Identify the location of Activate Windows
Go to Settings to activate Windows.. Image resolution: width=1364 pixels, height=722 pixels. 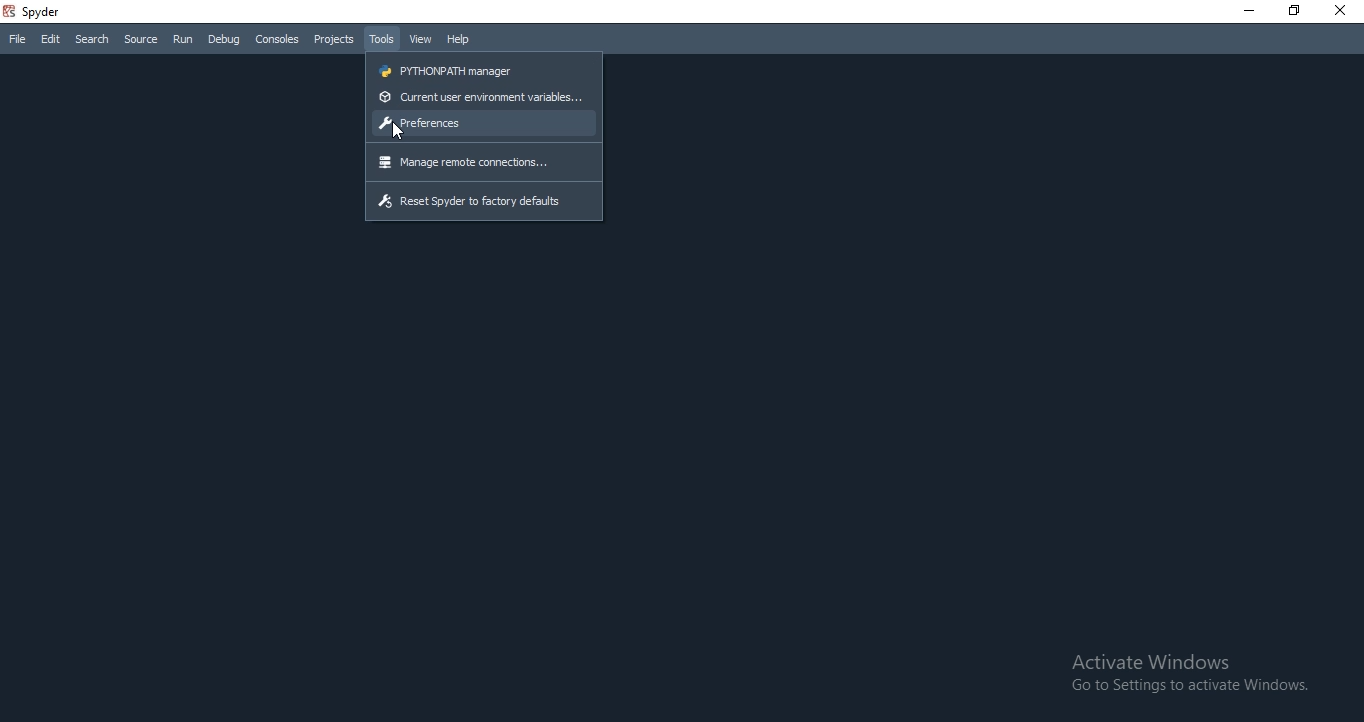
(1191, 674).